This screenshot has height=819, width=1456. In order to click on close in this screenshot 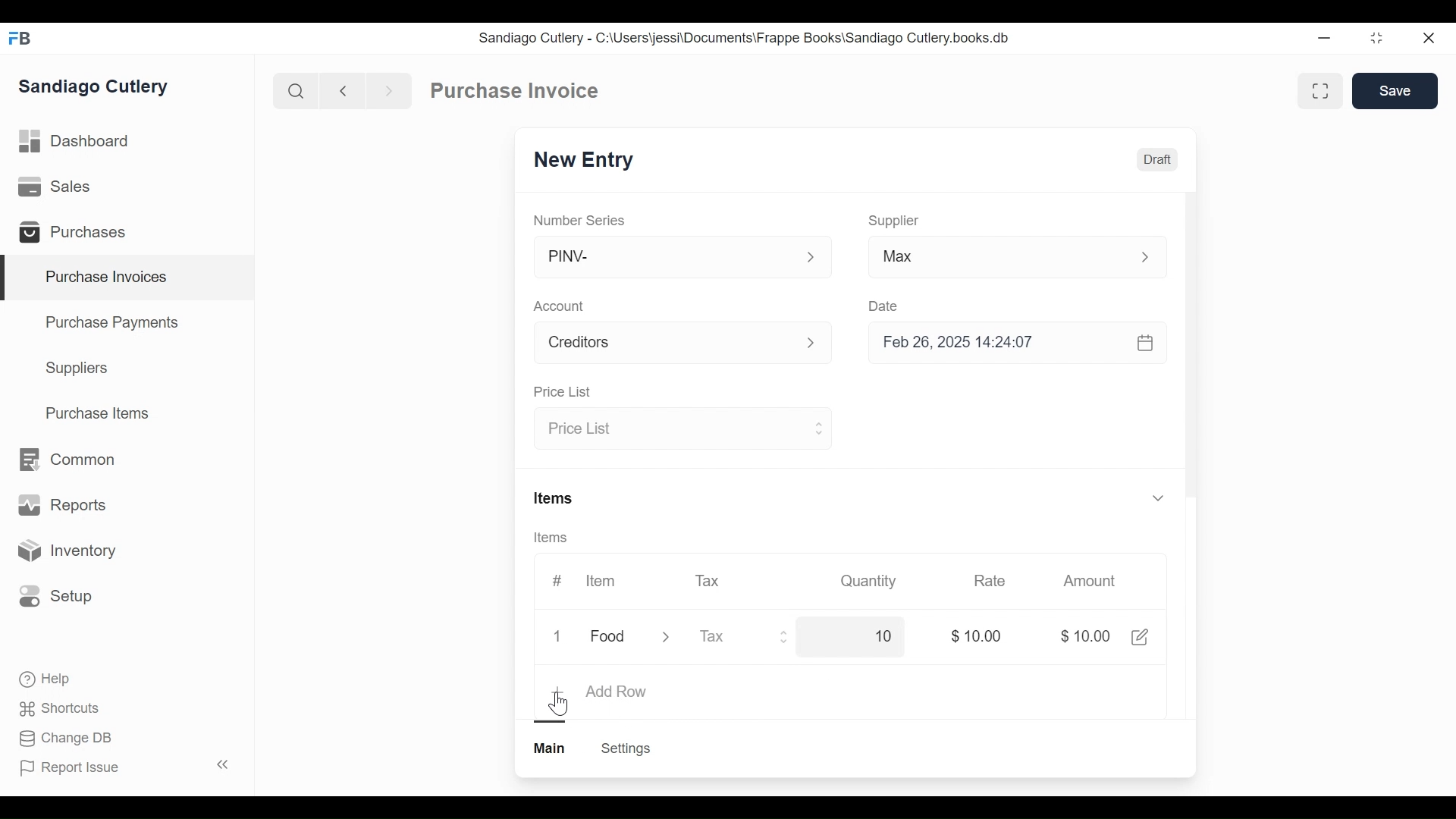, I will do `click(1427, 39)`.